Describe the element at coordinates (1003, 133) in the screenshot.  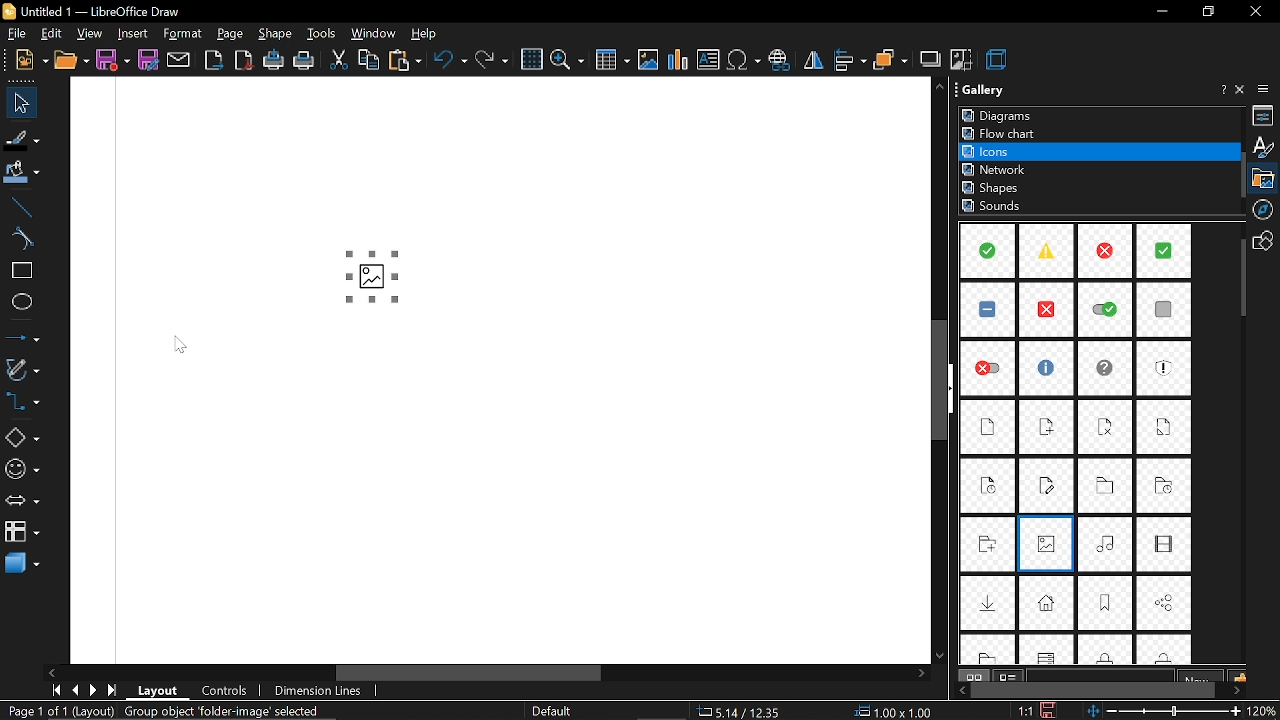
I see `flowchrat` at that location.